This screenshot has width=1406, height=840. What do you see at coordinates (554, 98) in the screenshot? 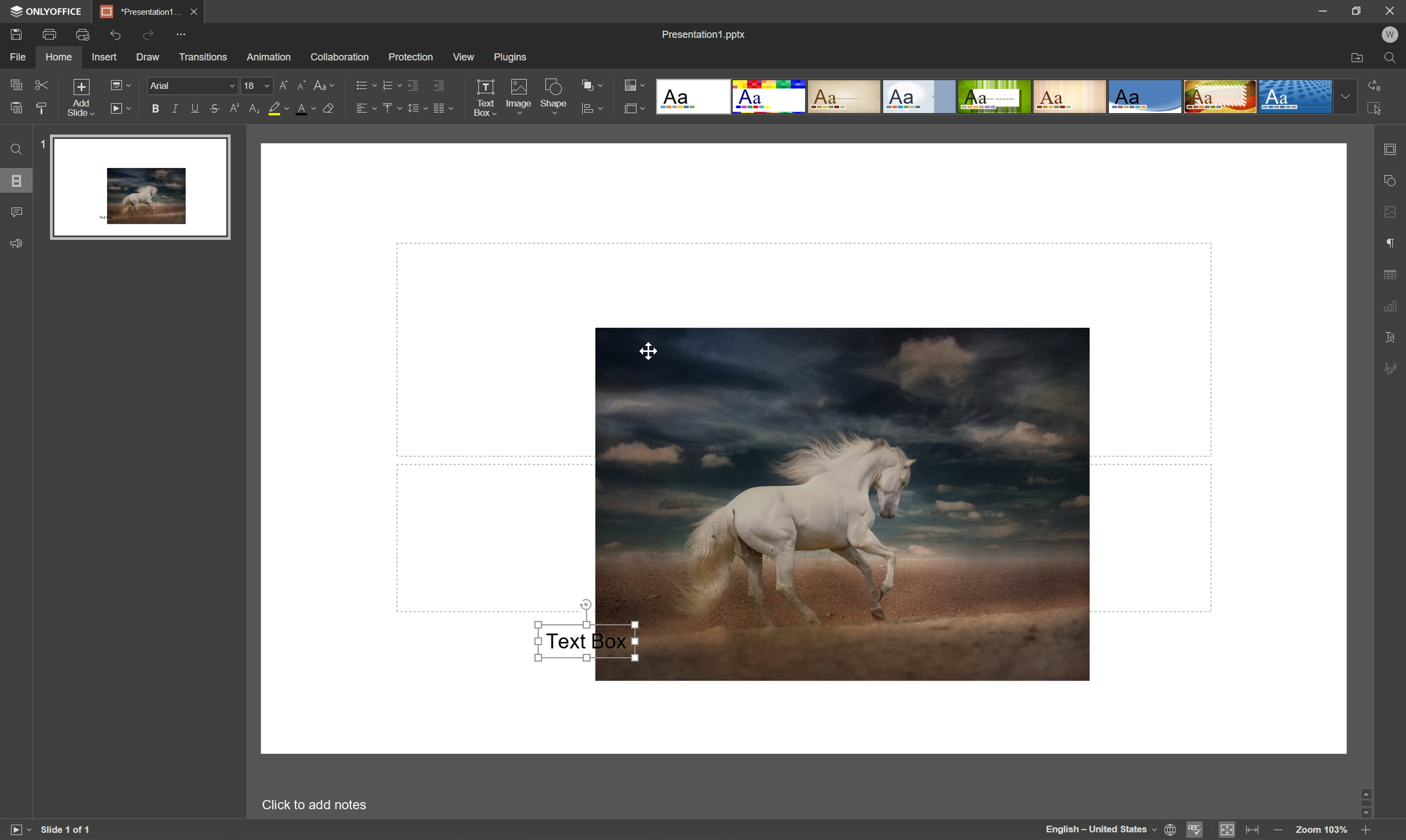
I see `Shape` at bounding box center [554, 98].